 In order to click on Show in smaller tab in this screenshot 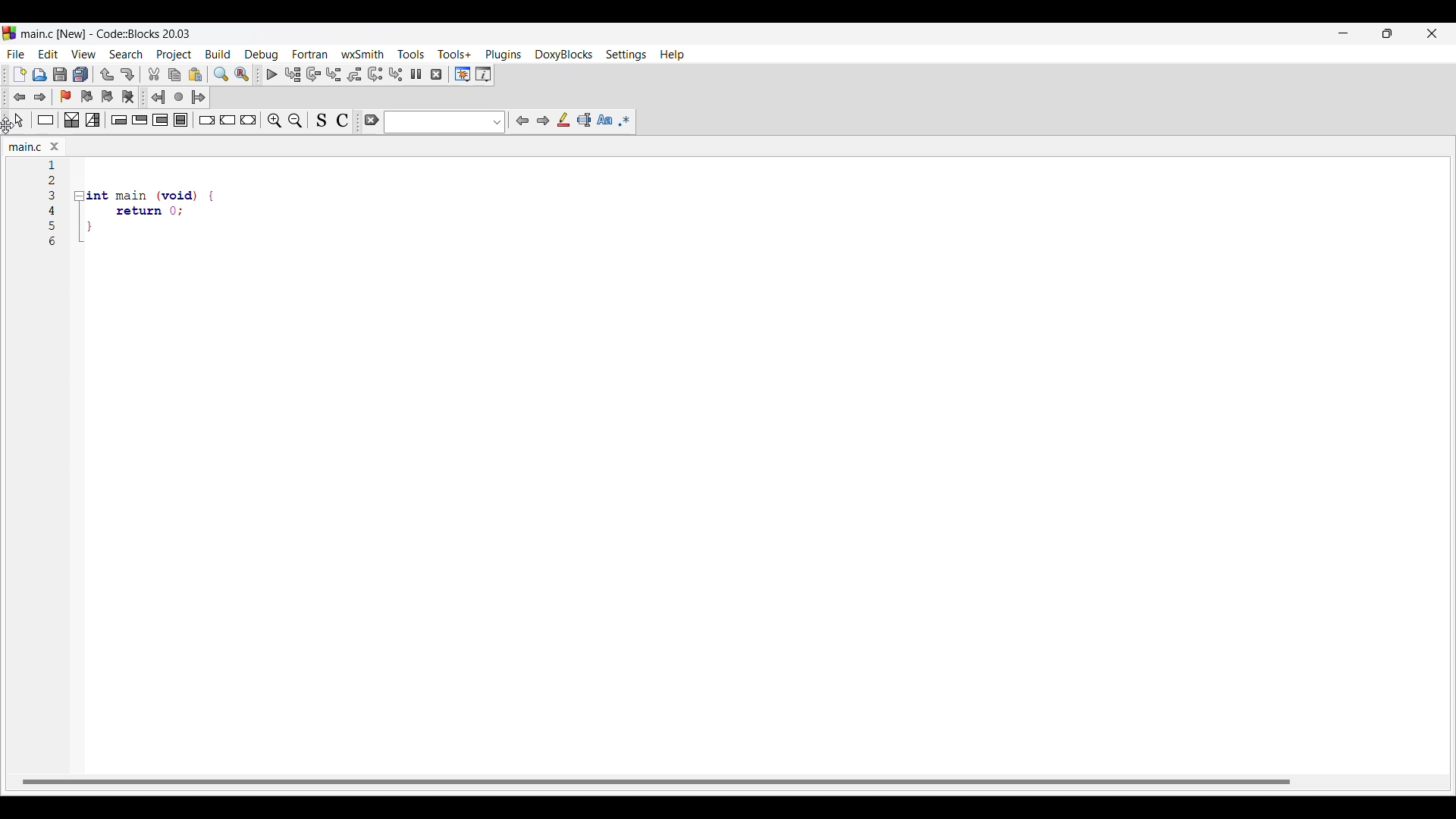, I will do `click(1387, 33)`.